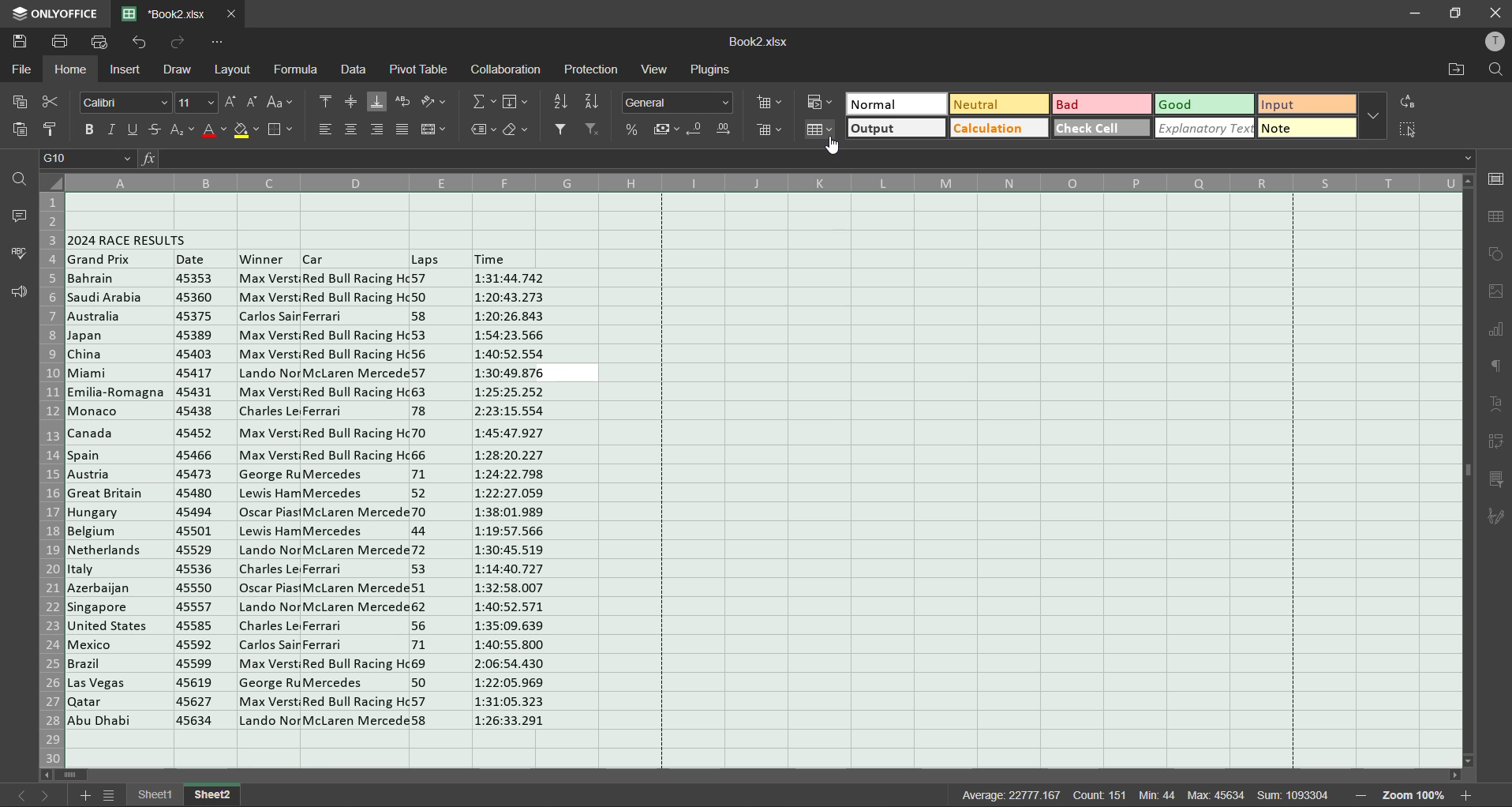  What do you see at coordinates (18, 180) in the screenshot?
I see `find` at bounding box center [18, 180].